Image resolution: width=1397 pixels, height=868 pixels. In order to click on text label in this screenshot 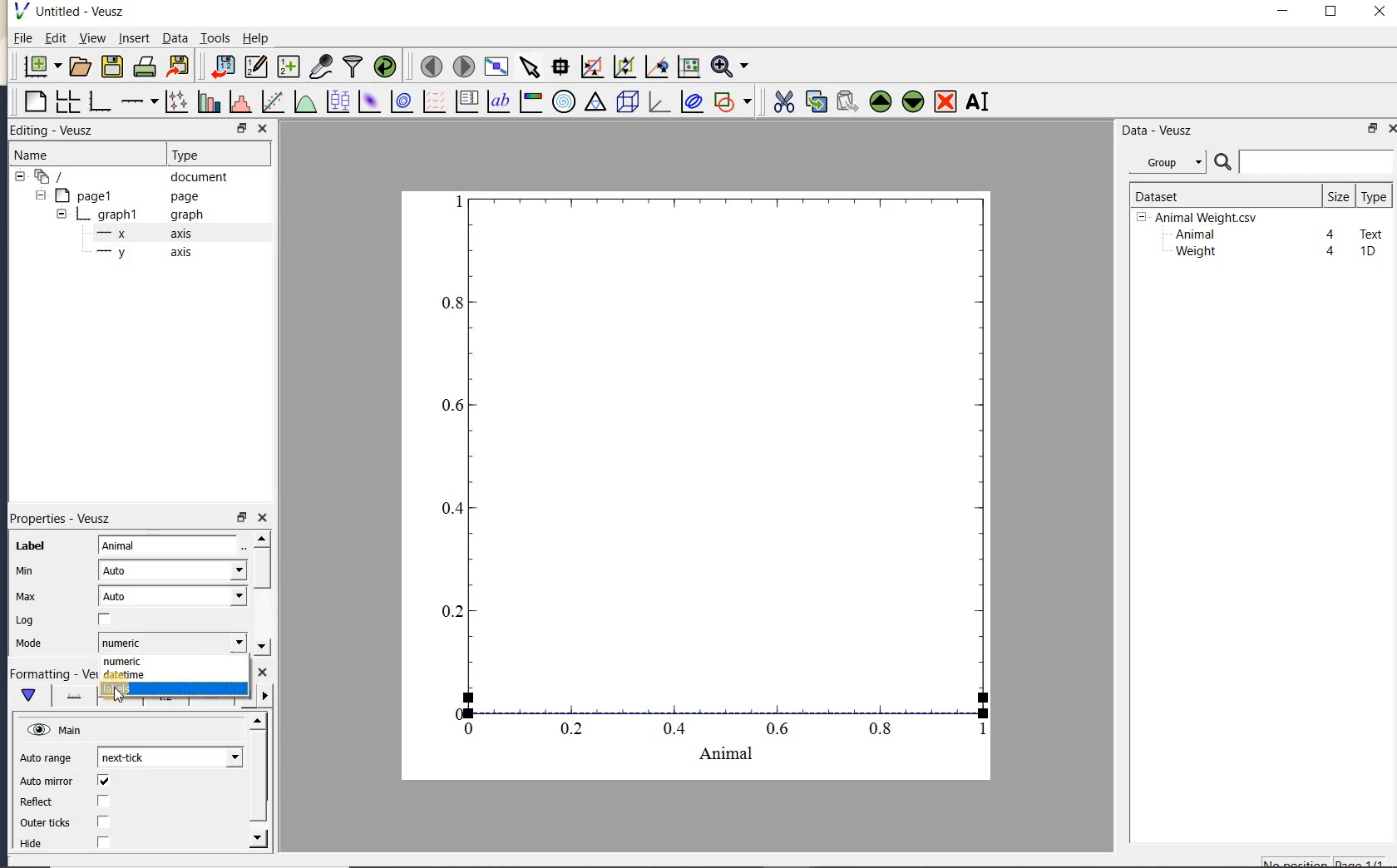, I will do `click(498, 103)`.